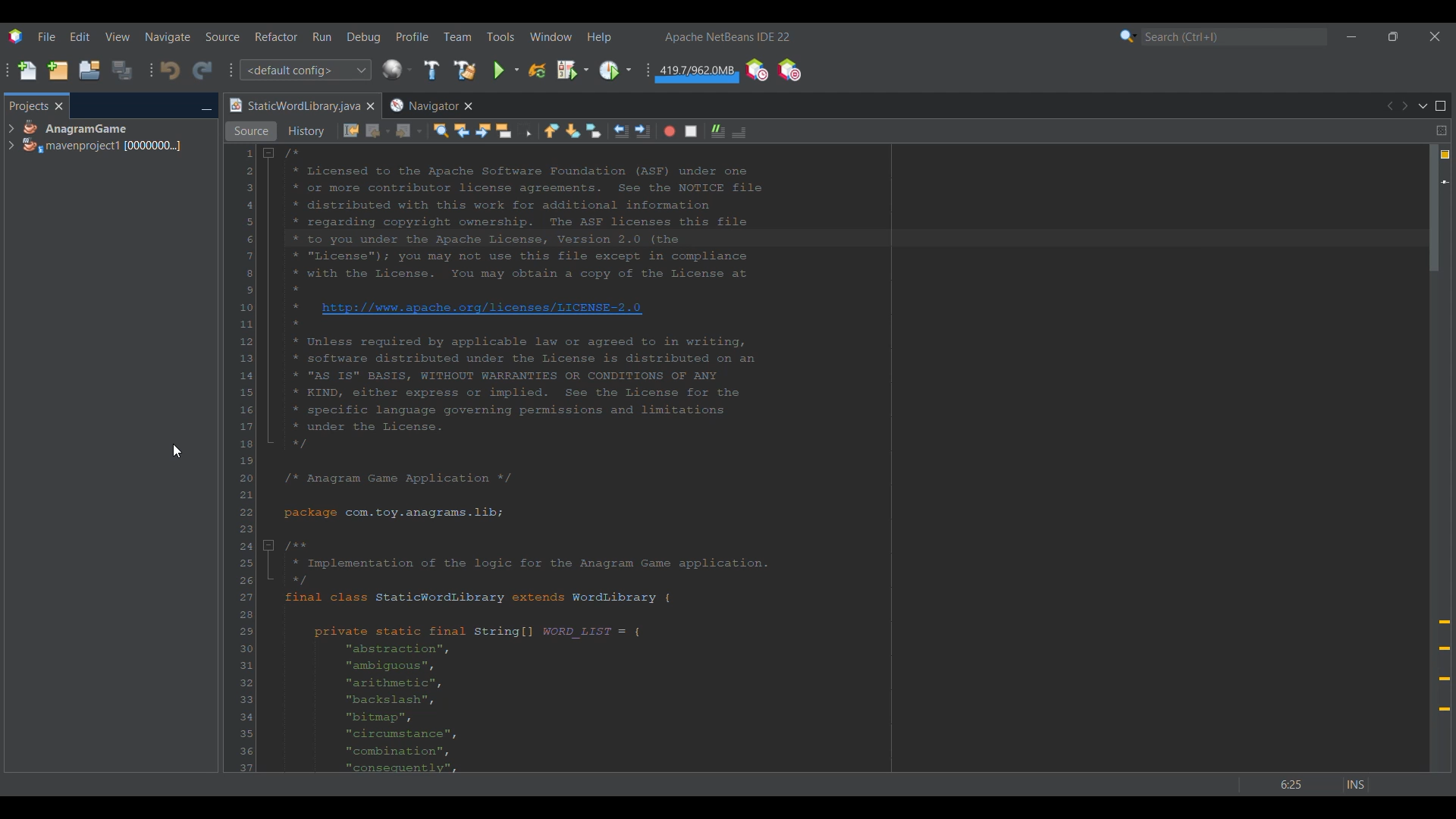 The image size is (1456, 819). What do you see at coordinates (573, 69) in the screenshot?
I see `Debug main project options` at bounding box center [573, 69].